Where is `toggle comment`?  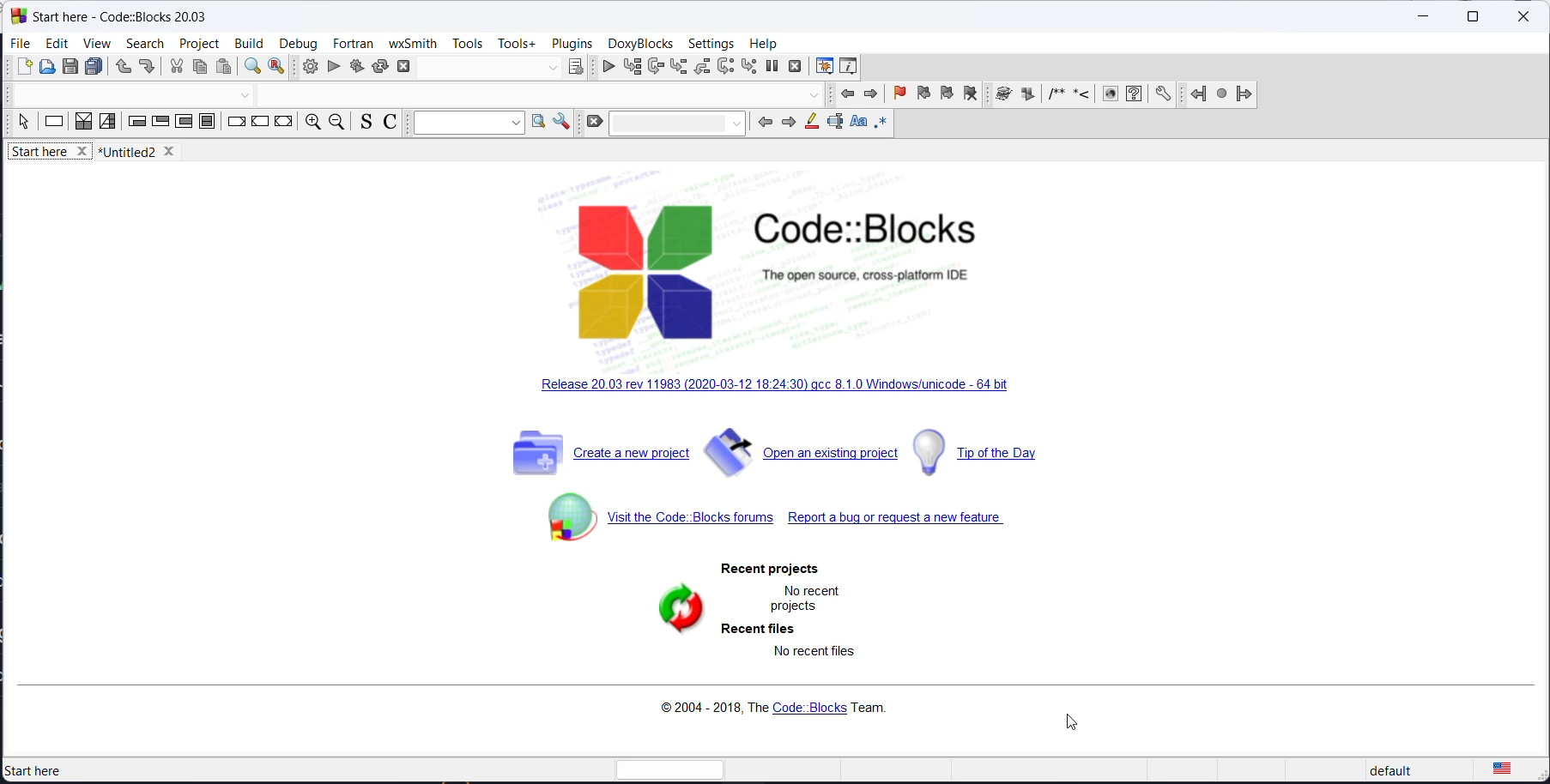 toggle comment is located at coordinates (392, 124).